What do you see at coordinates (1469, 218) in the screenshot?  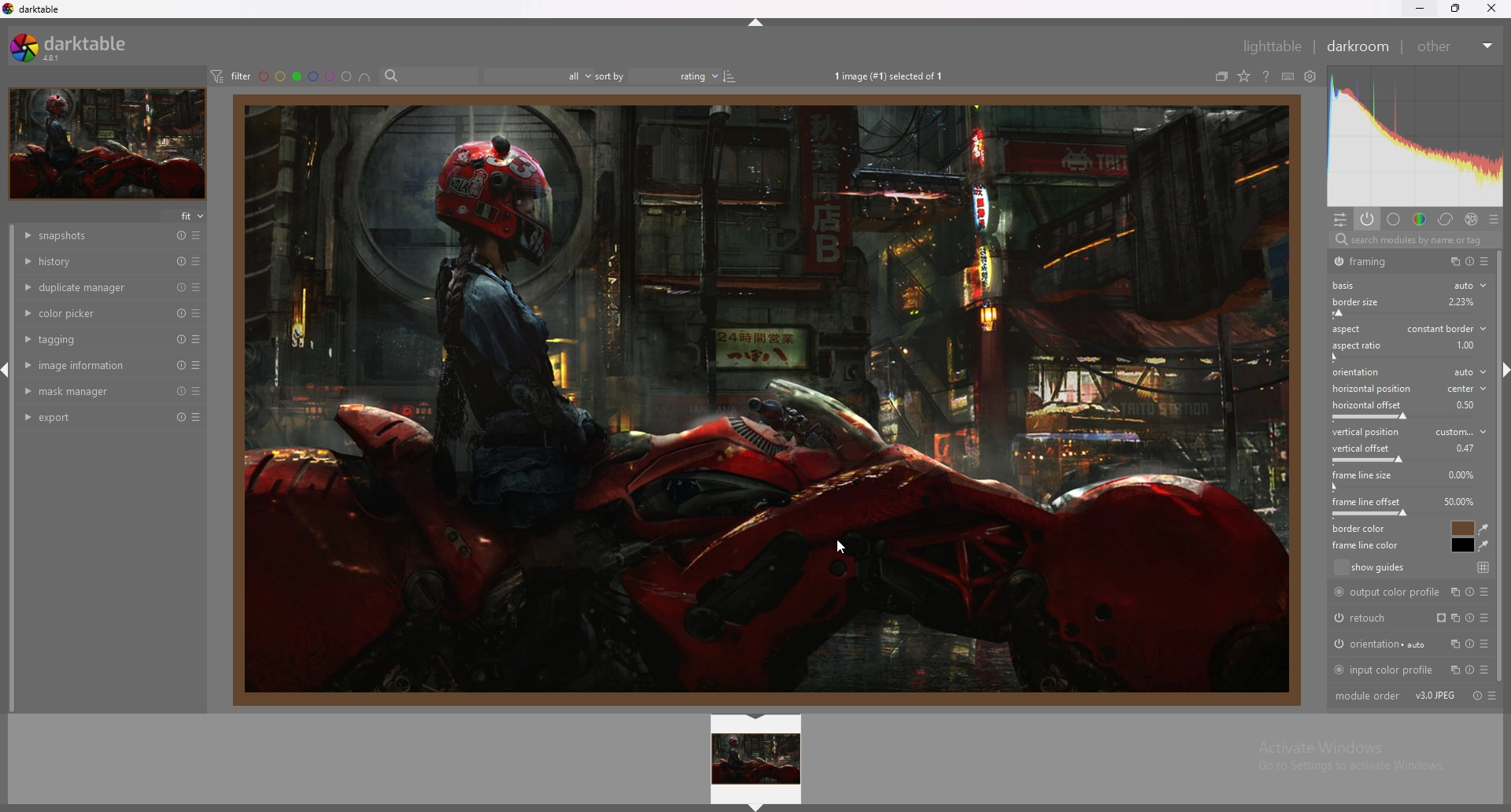 I see `effect` at bounding box center [1469, 218].